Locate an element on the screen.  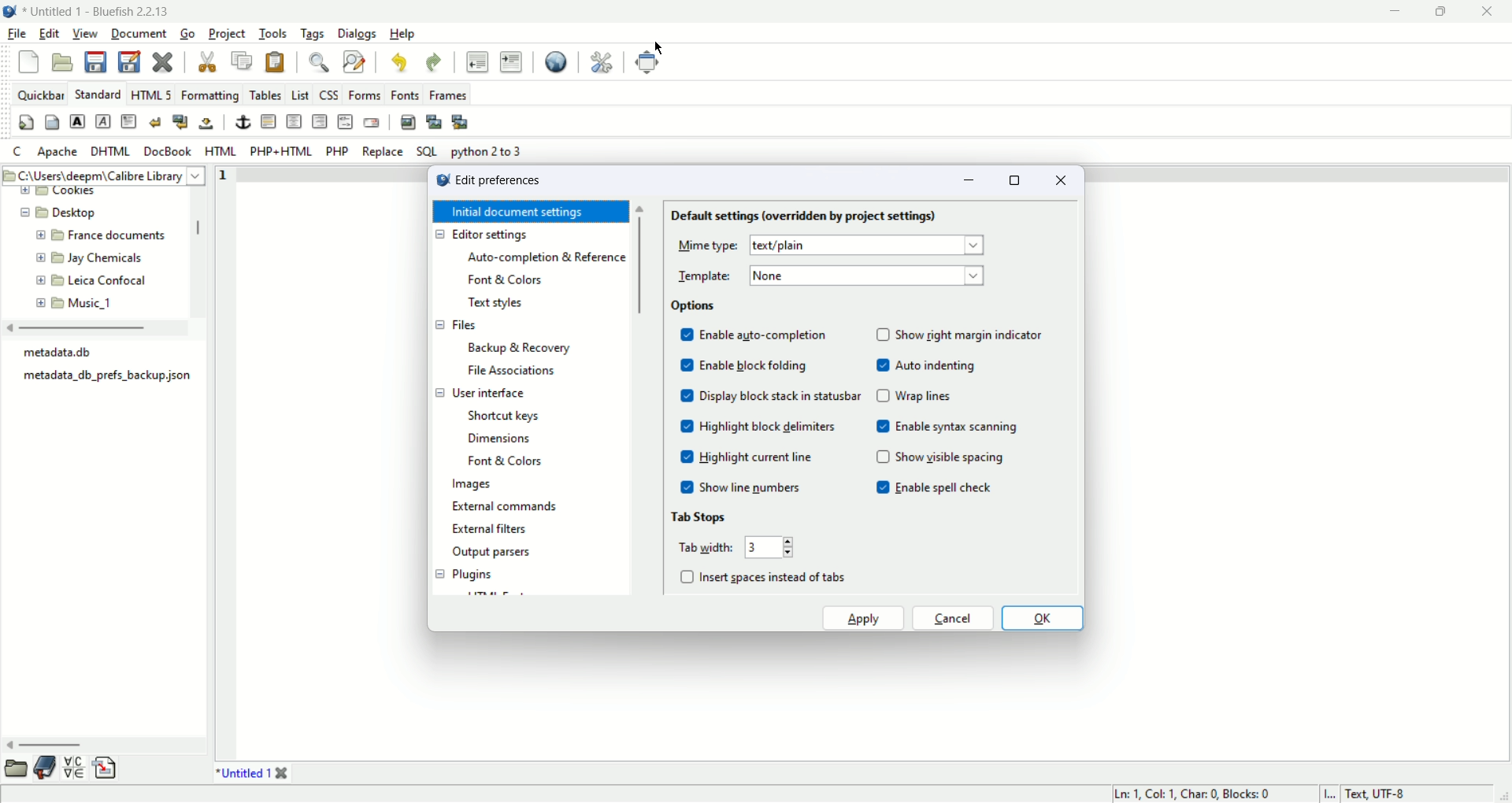
strong is located at coordinates (78, 122).